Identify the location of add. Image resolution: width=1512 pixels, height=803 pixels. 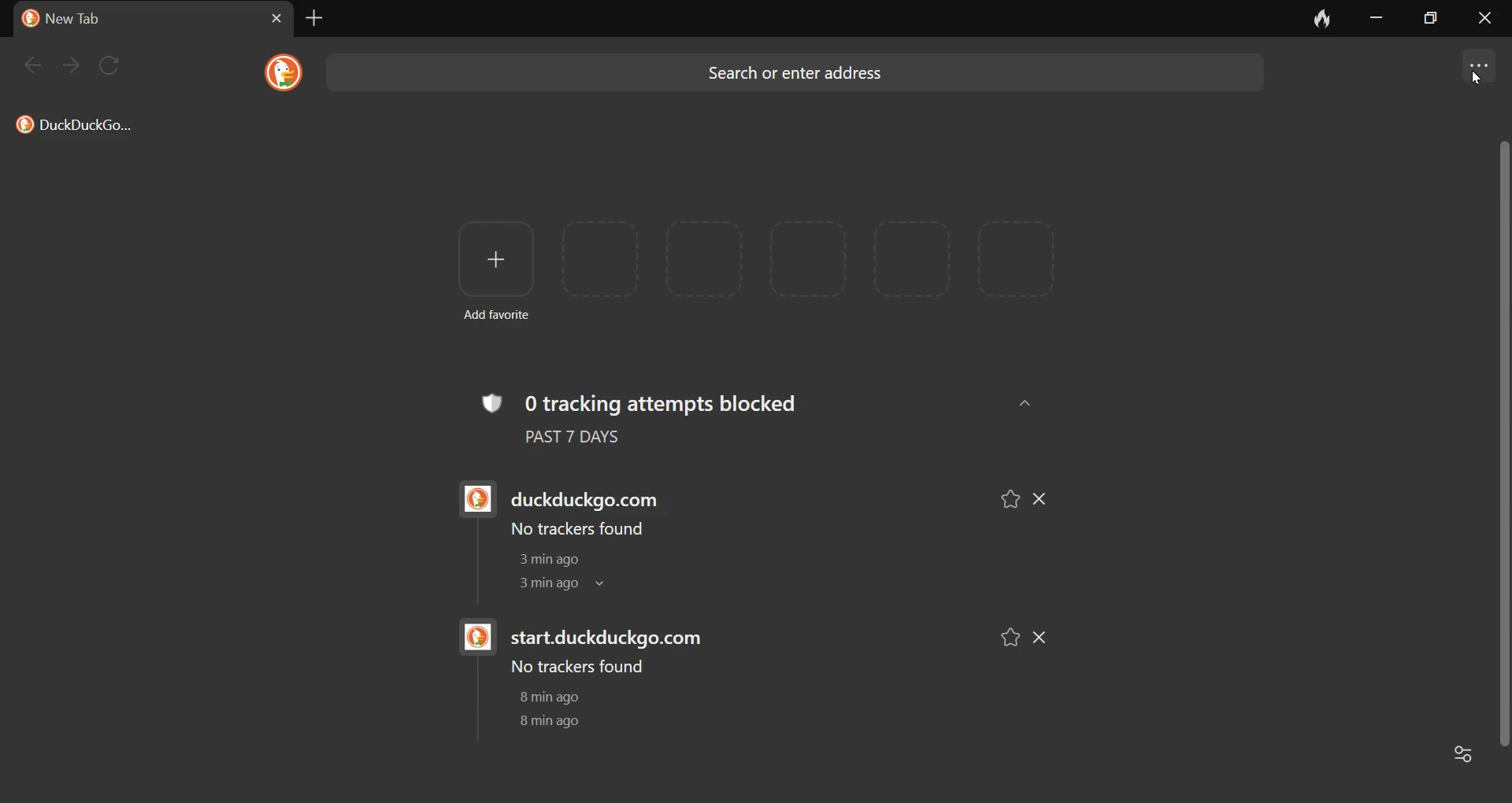
(489, 259).